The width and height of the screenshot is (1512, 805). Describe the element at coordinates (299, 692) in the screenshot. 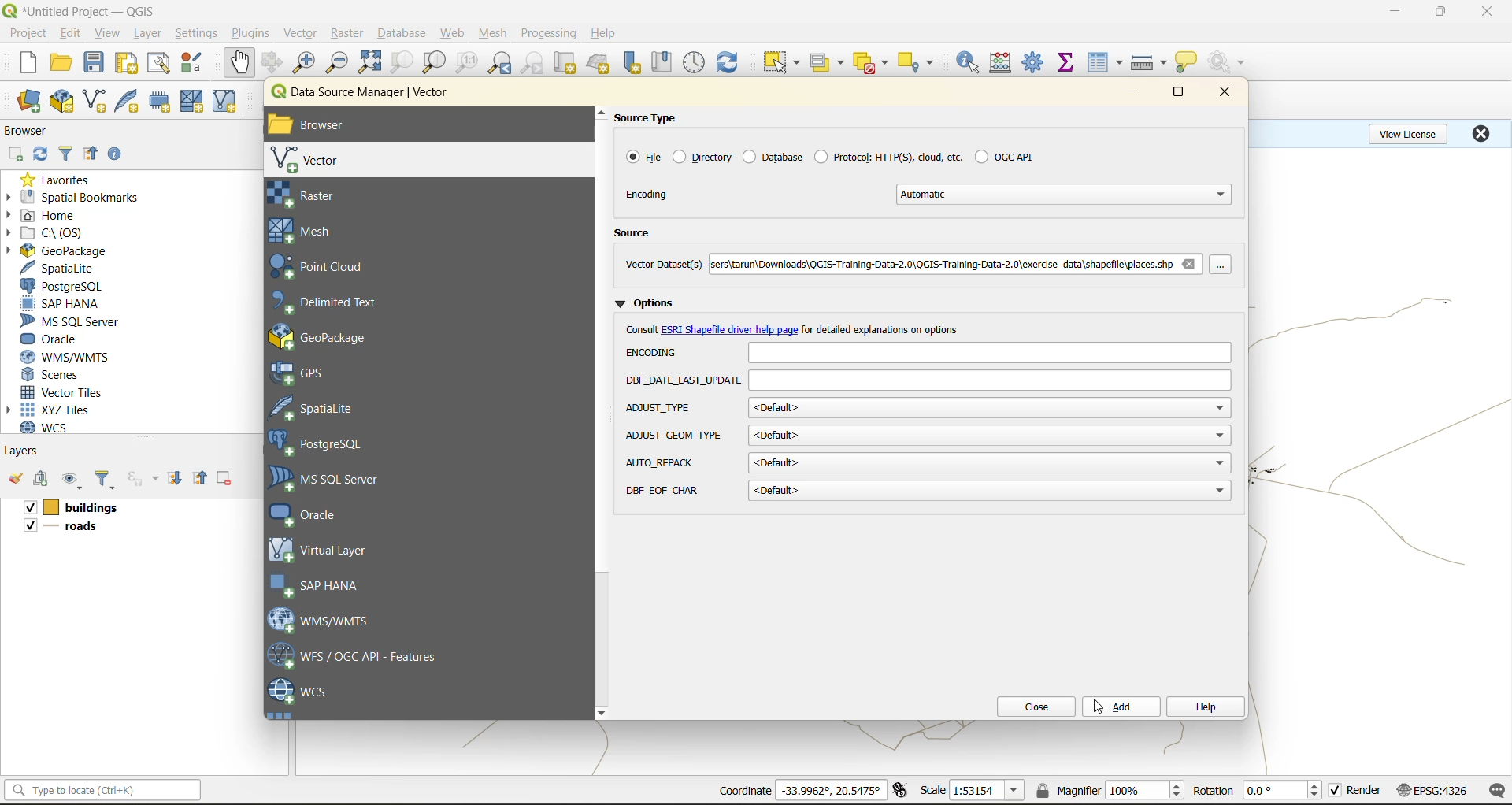

I see `wcs` at that location.